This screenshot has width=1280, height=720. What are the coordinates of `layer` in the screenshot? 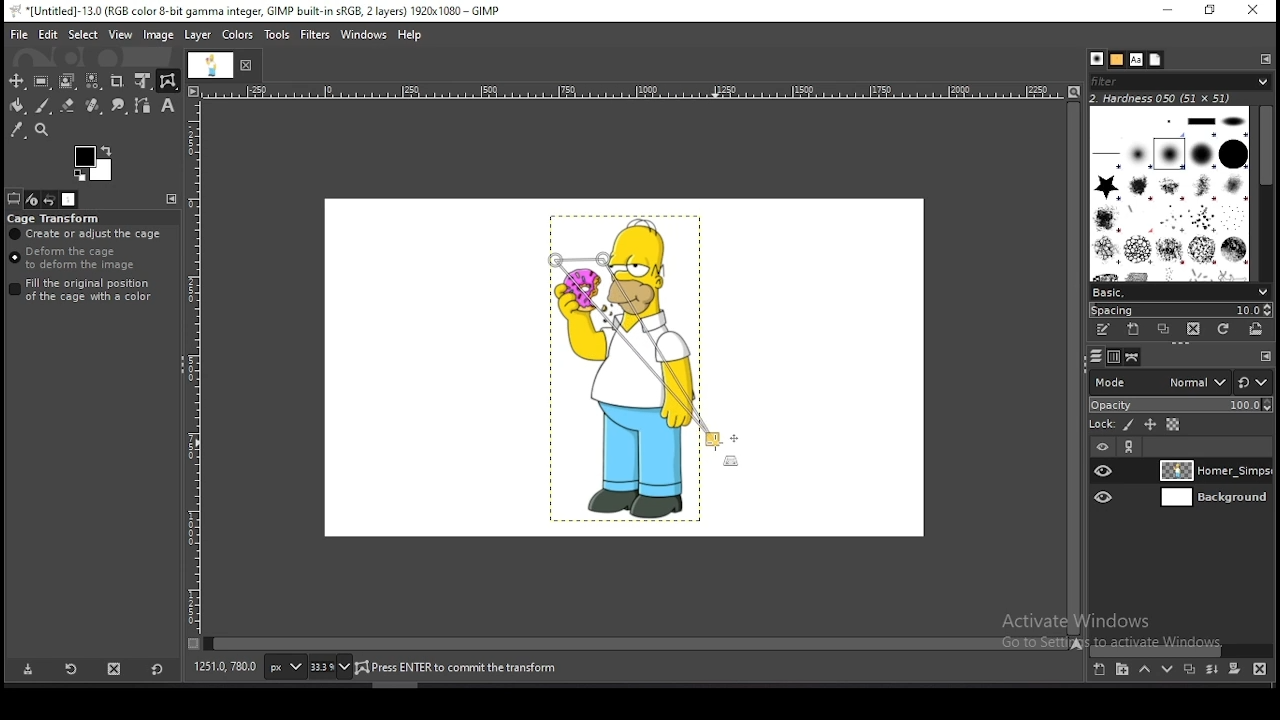 It's located at (1213, 471).